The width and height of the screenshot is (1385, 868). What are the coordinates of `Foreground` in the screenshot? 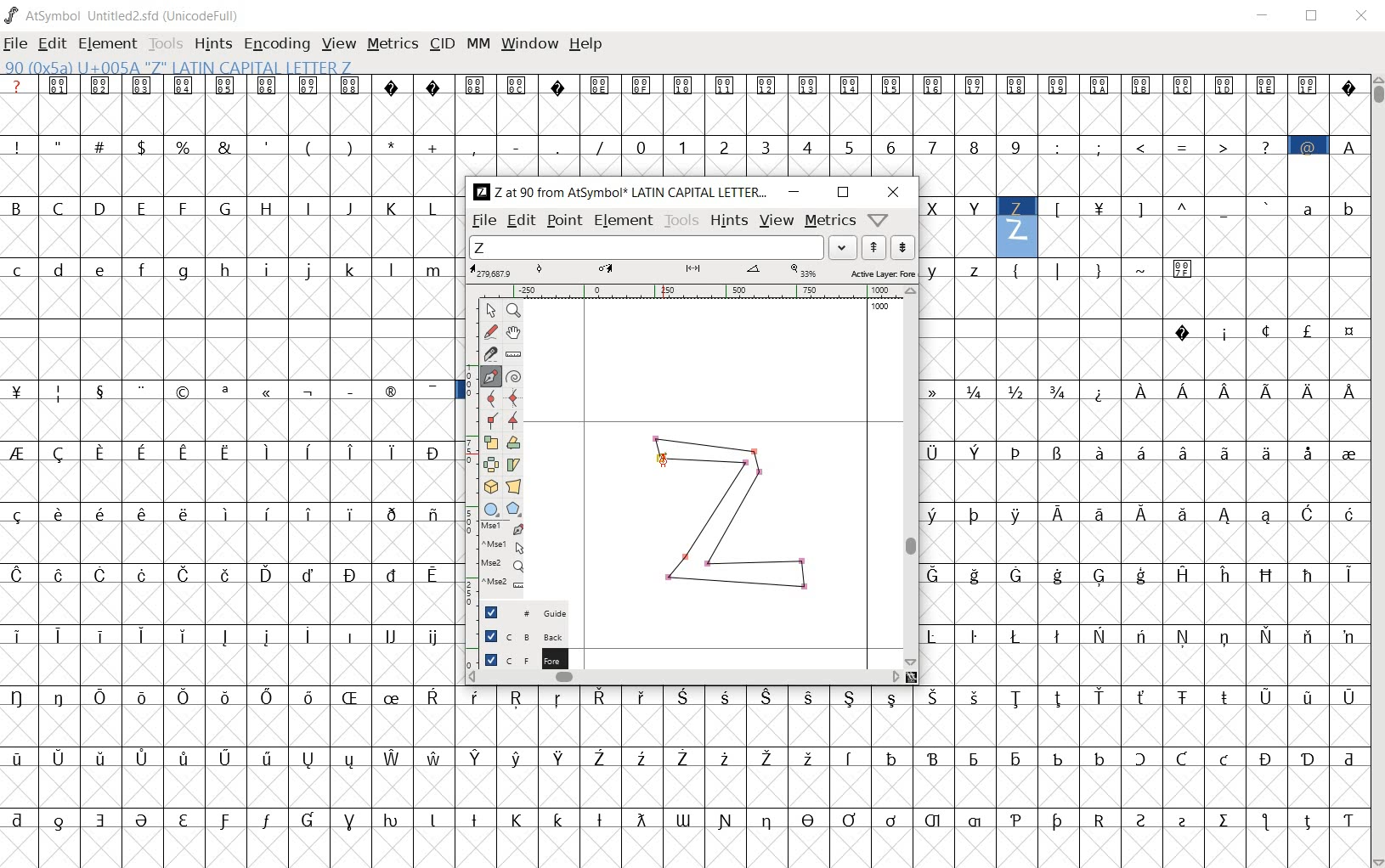 It's located at (518, 658).